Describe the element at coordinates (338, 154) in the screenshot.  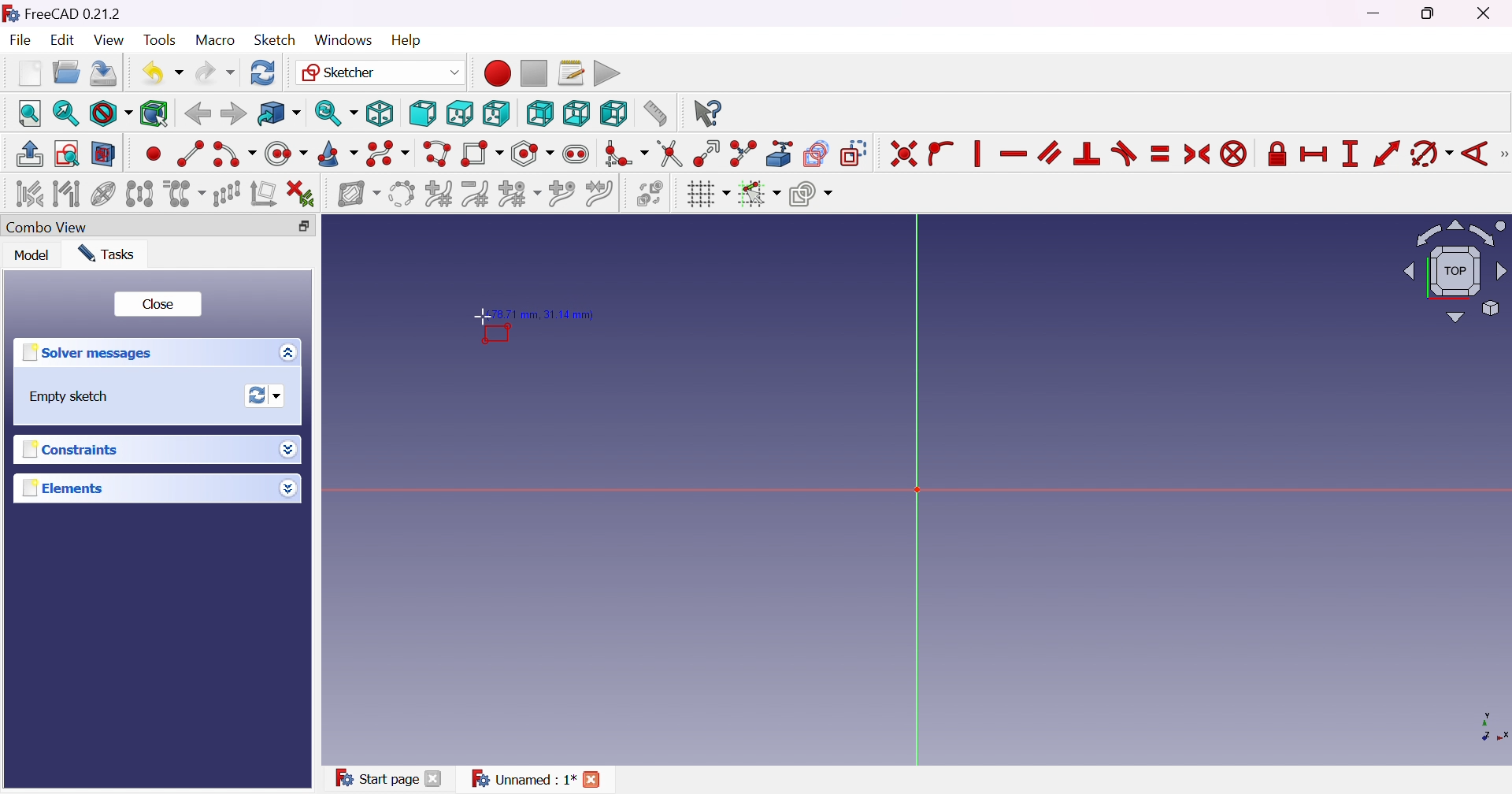
I see `Create conic` at that location.